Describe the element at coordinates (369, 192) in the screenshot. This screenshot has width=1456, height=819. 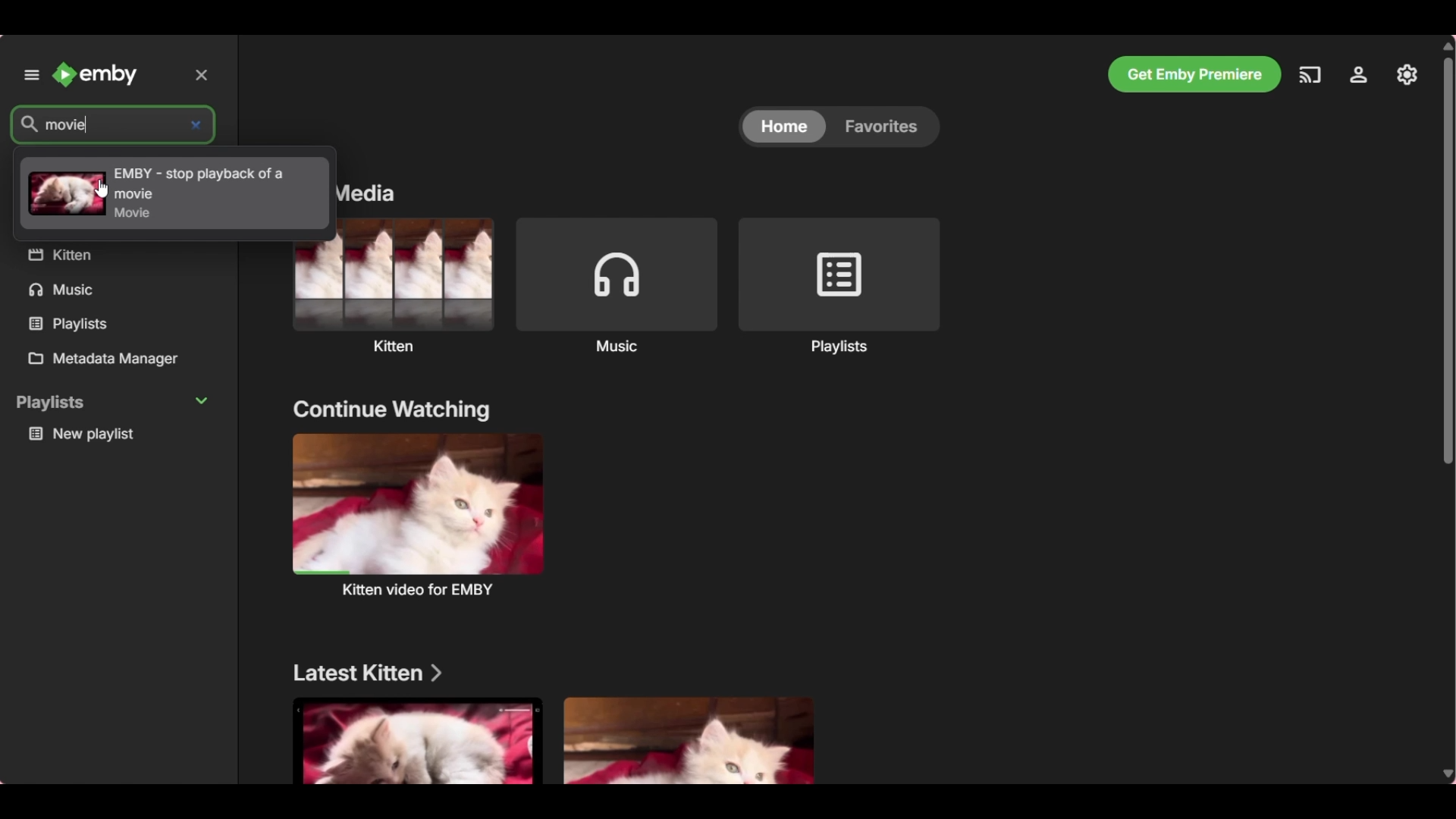
I see `My media` at that location.